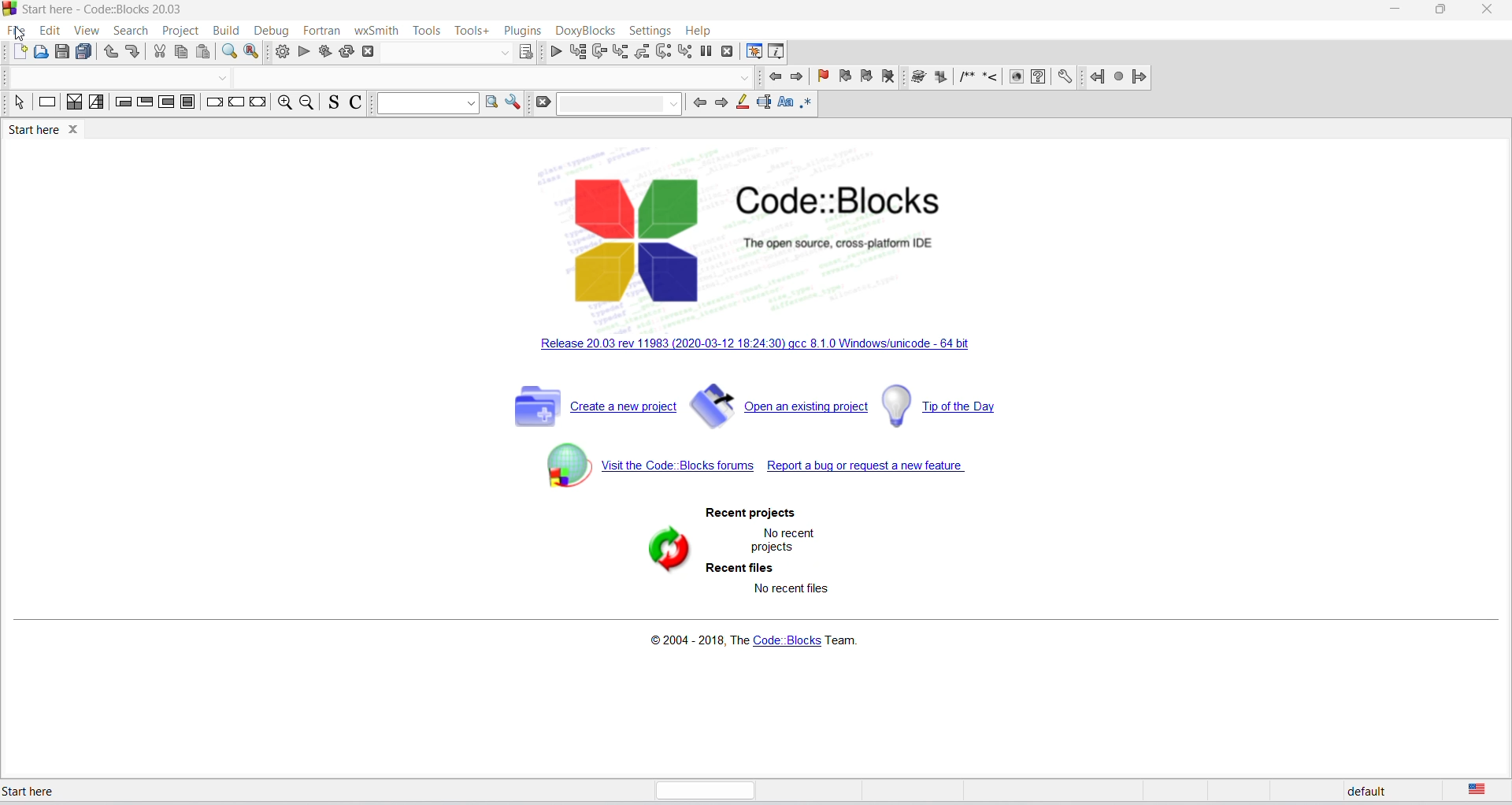 Image resolution: width=1512 pixels, height=805 pixels. I want to click on redo, so click(133, 50).